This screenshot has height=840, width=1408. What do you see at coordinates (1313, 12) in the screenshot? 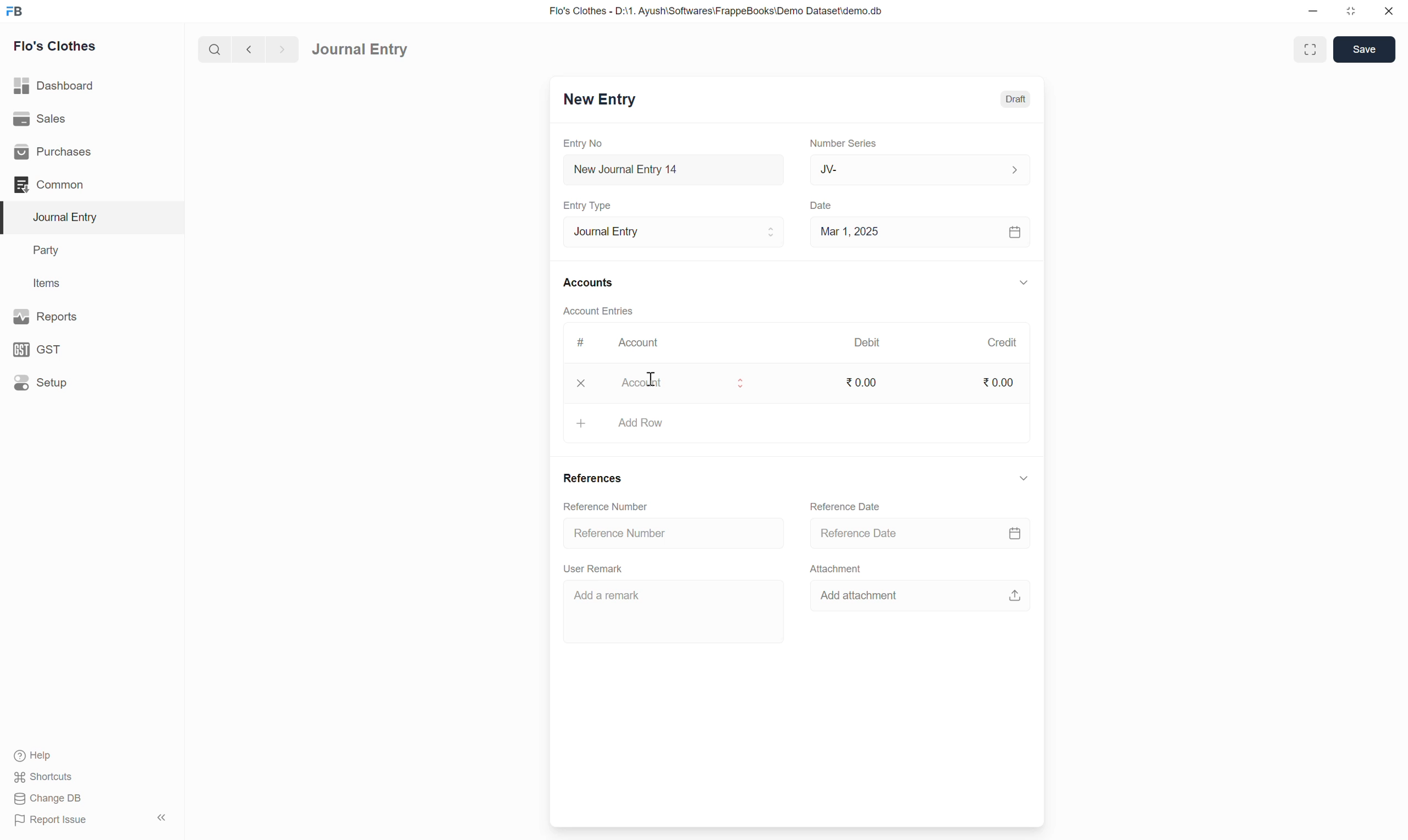
I see `minimize` at bounding box center [1313, 12].